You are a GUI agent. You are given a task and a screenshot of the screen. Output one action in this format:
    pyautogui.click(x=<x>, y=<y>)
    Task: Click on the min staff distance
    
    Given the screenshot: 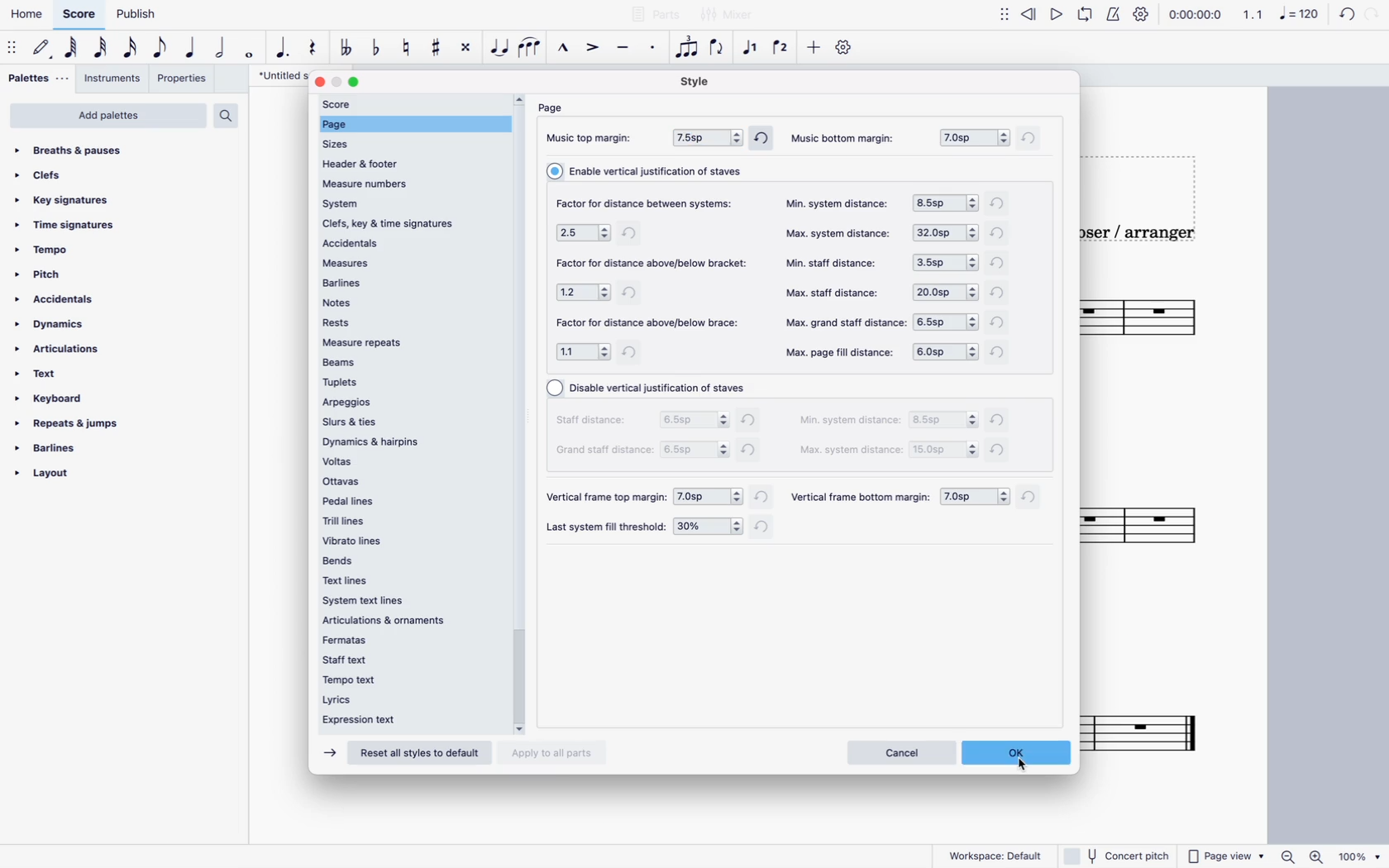 What is the action you would take?
    pyautogui.click(x=837, y=261)
    